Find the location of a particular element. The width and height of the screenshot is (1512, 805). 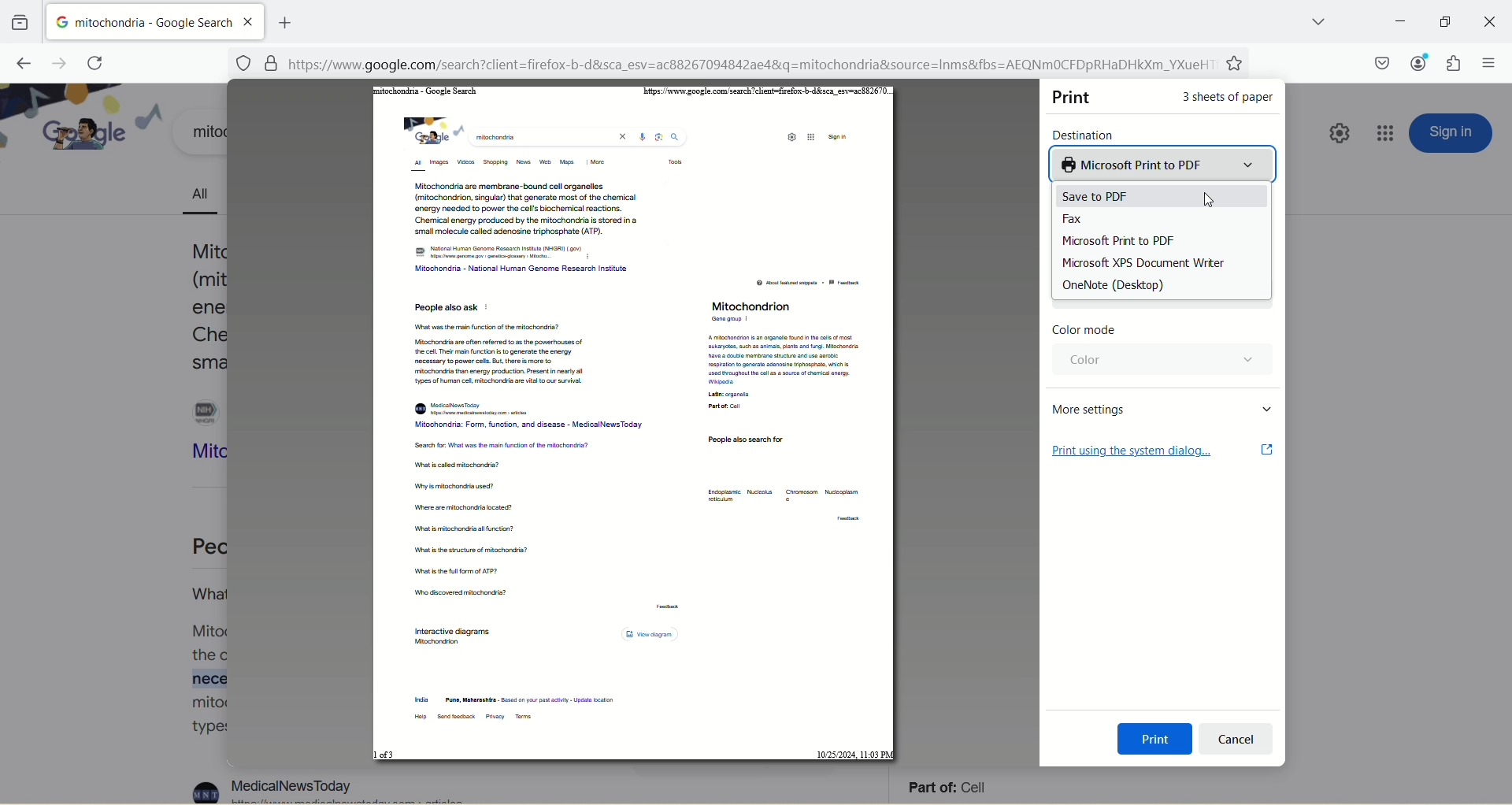

OneNote (Desktop) is located at coordinates (1158, 287).